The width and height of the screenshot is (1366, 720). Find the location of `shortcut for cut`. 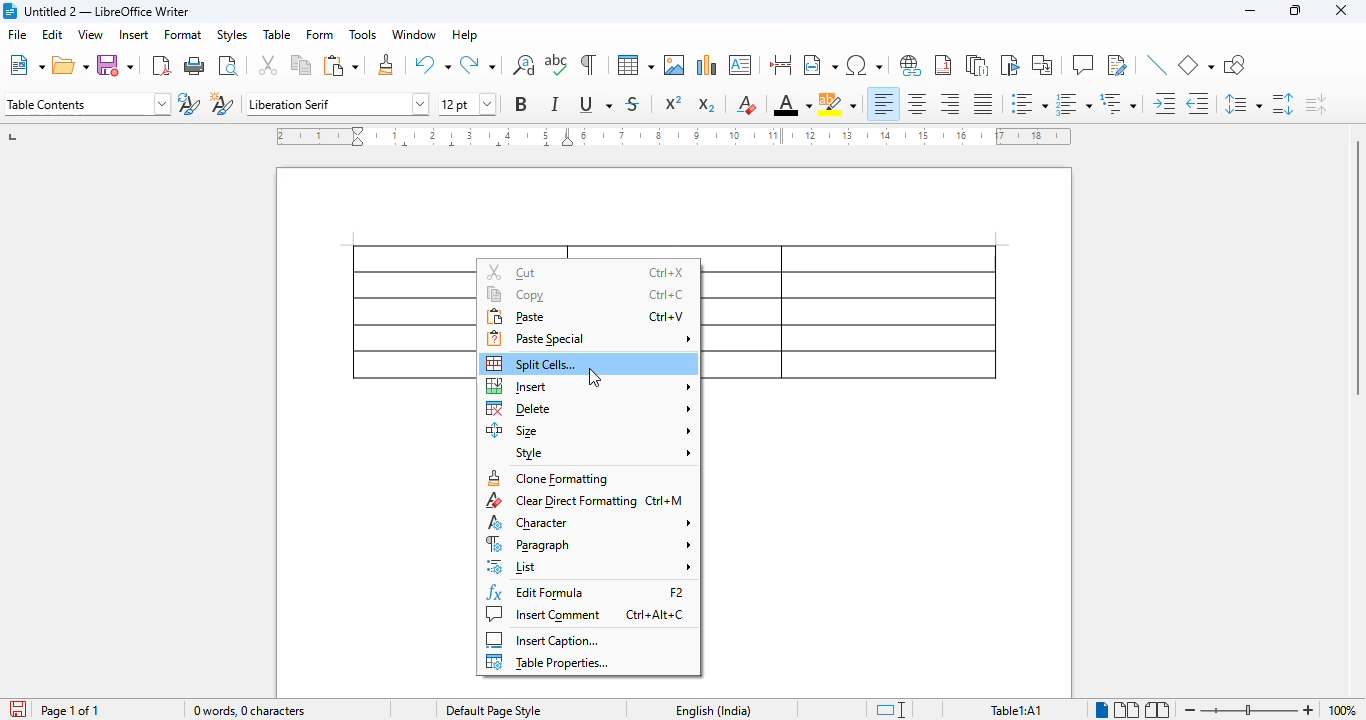

shortcut for cut is located at coordinates (665, 272).